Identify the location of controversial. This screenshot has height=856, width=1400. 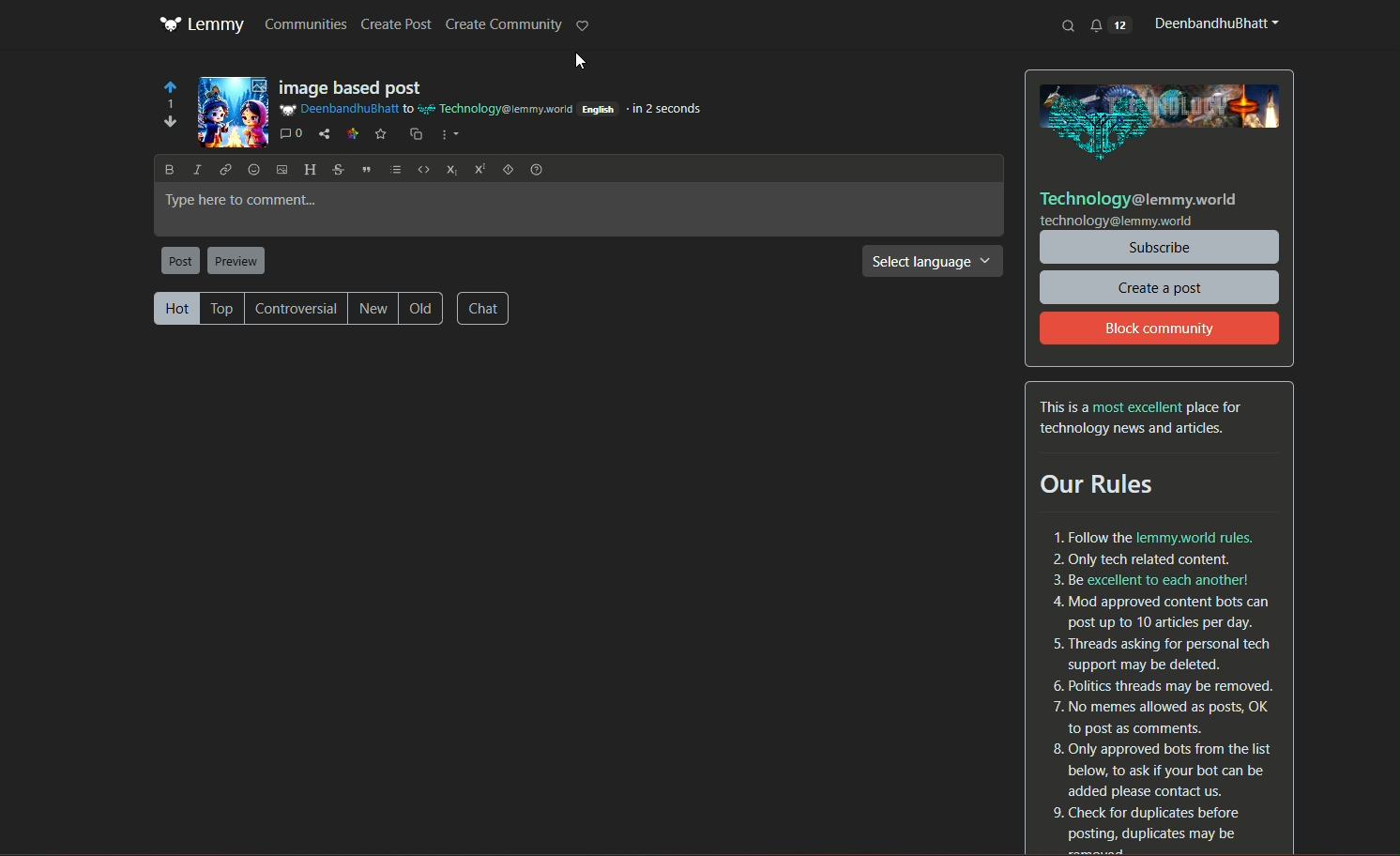
(298, 308).